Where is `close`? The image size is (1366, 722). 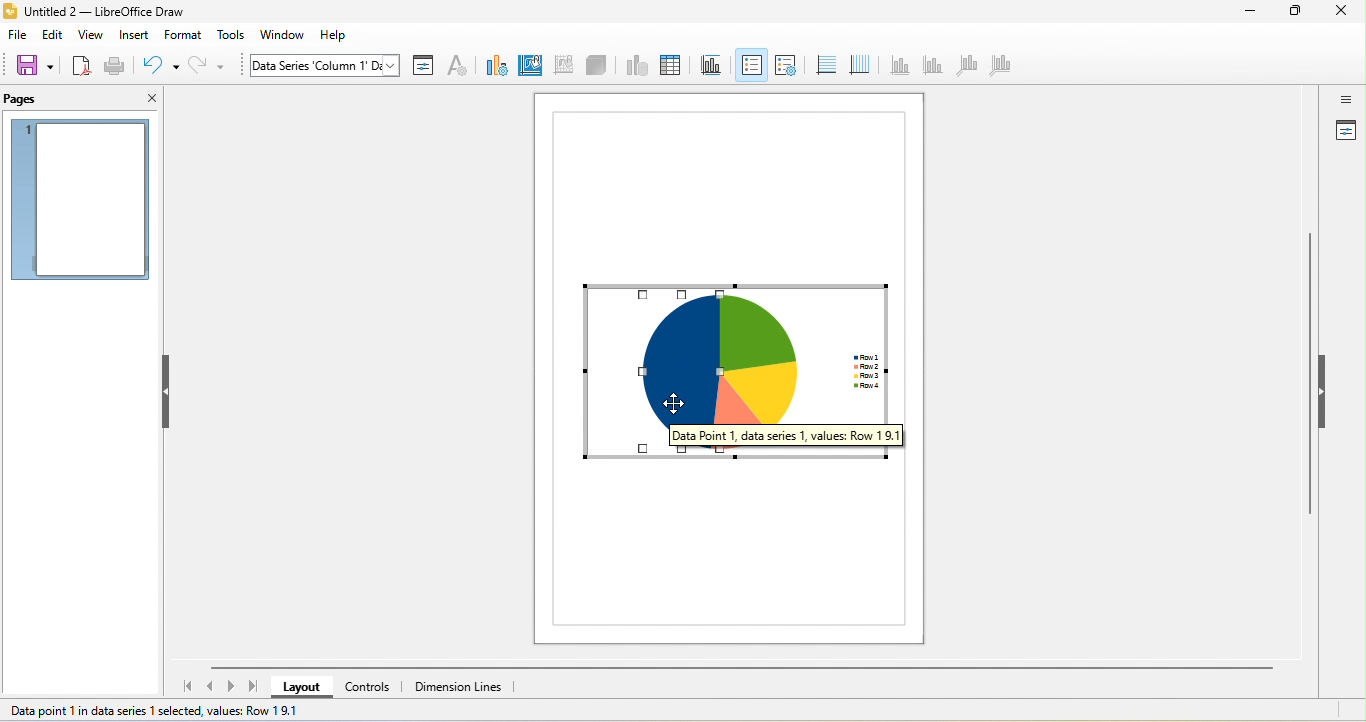
close is located at coordinates (148, 99).